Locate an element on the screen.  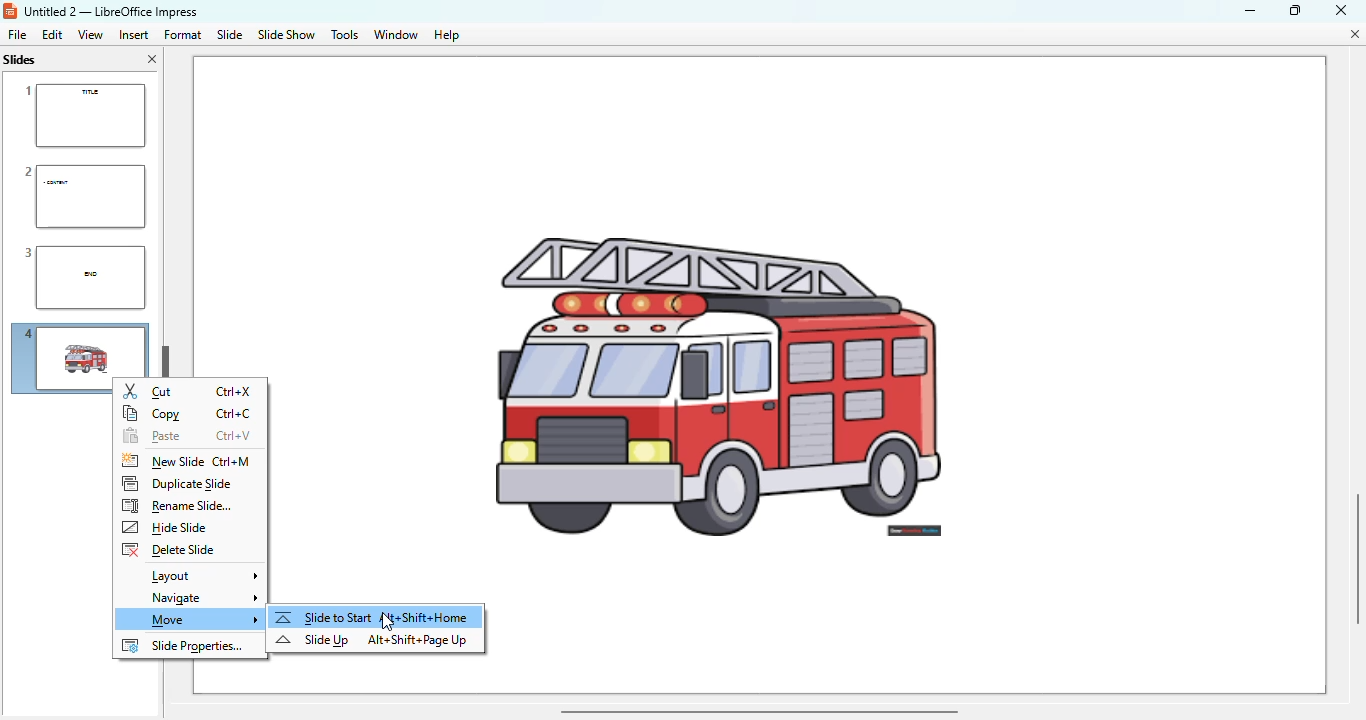
duplicate slide is located at coordinates (178, 483).